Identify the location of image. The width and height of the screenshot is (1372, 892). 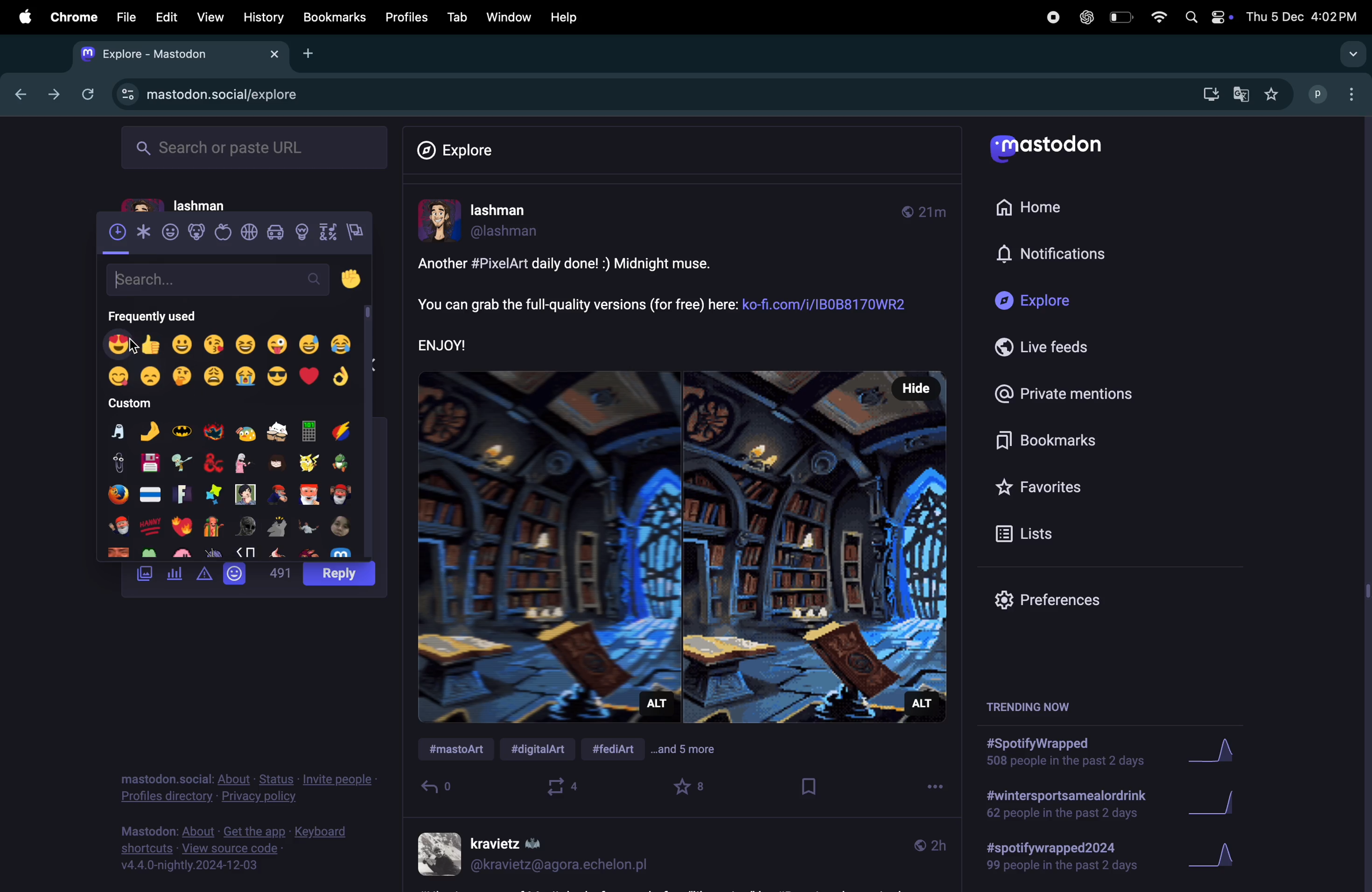
(682, 545).